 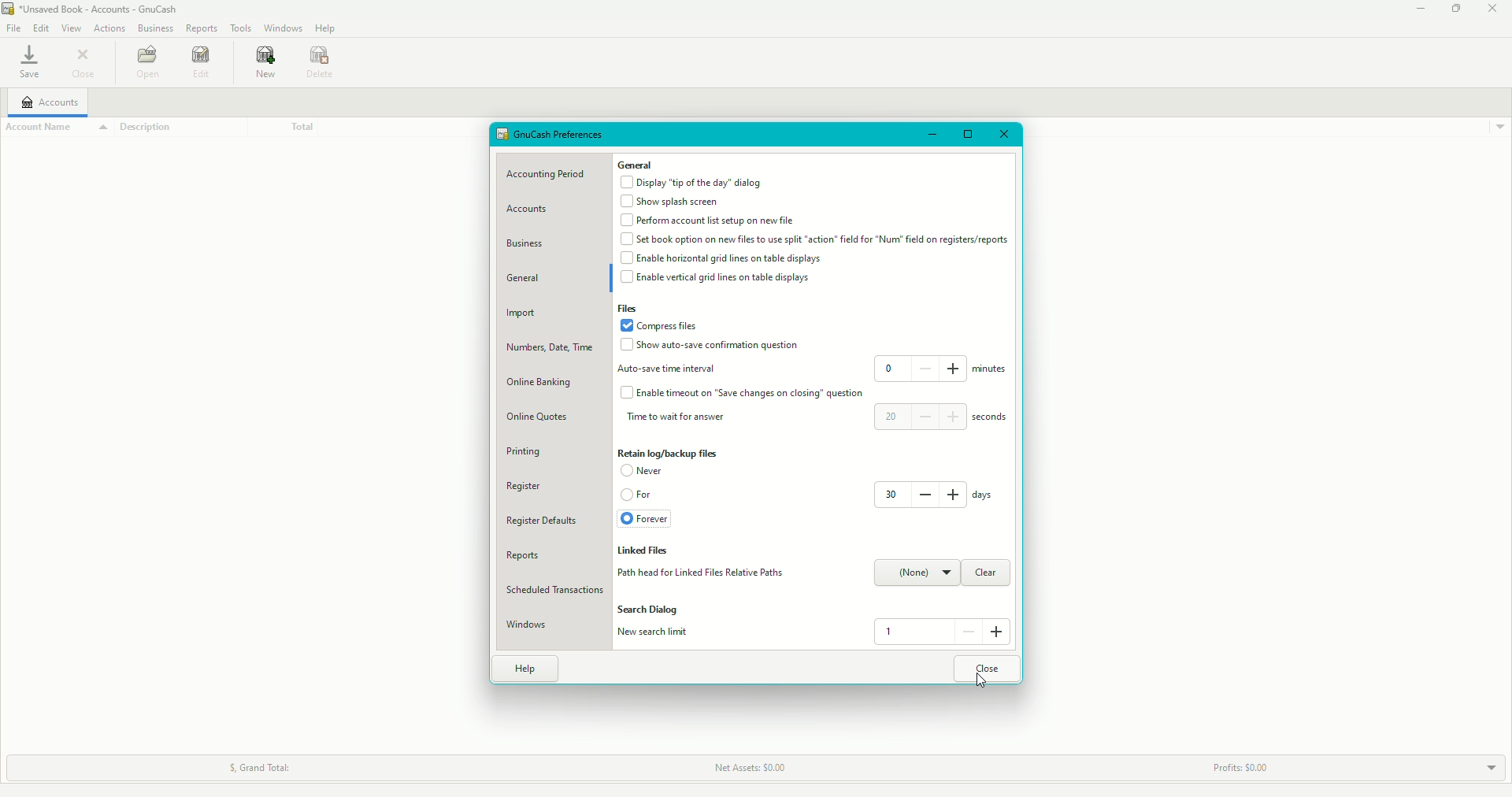 What do you see at coordinates (673, 202) in the screenshot?
I see `Show Splash screen` at bounding box center [673, 202].